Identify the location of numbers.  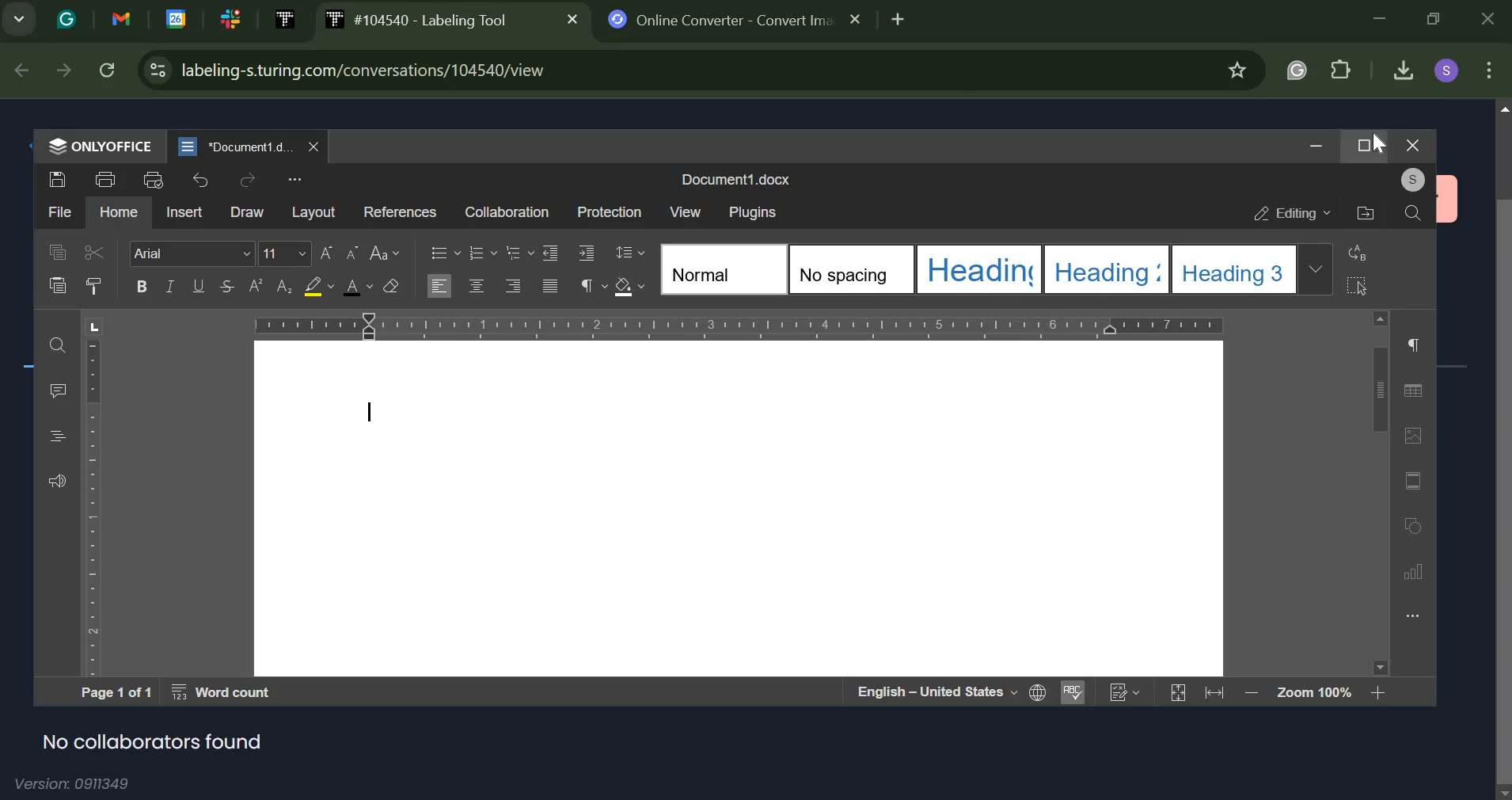
(1125, 691).